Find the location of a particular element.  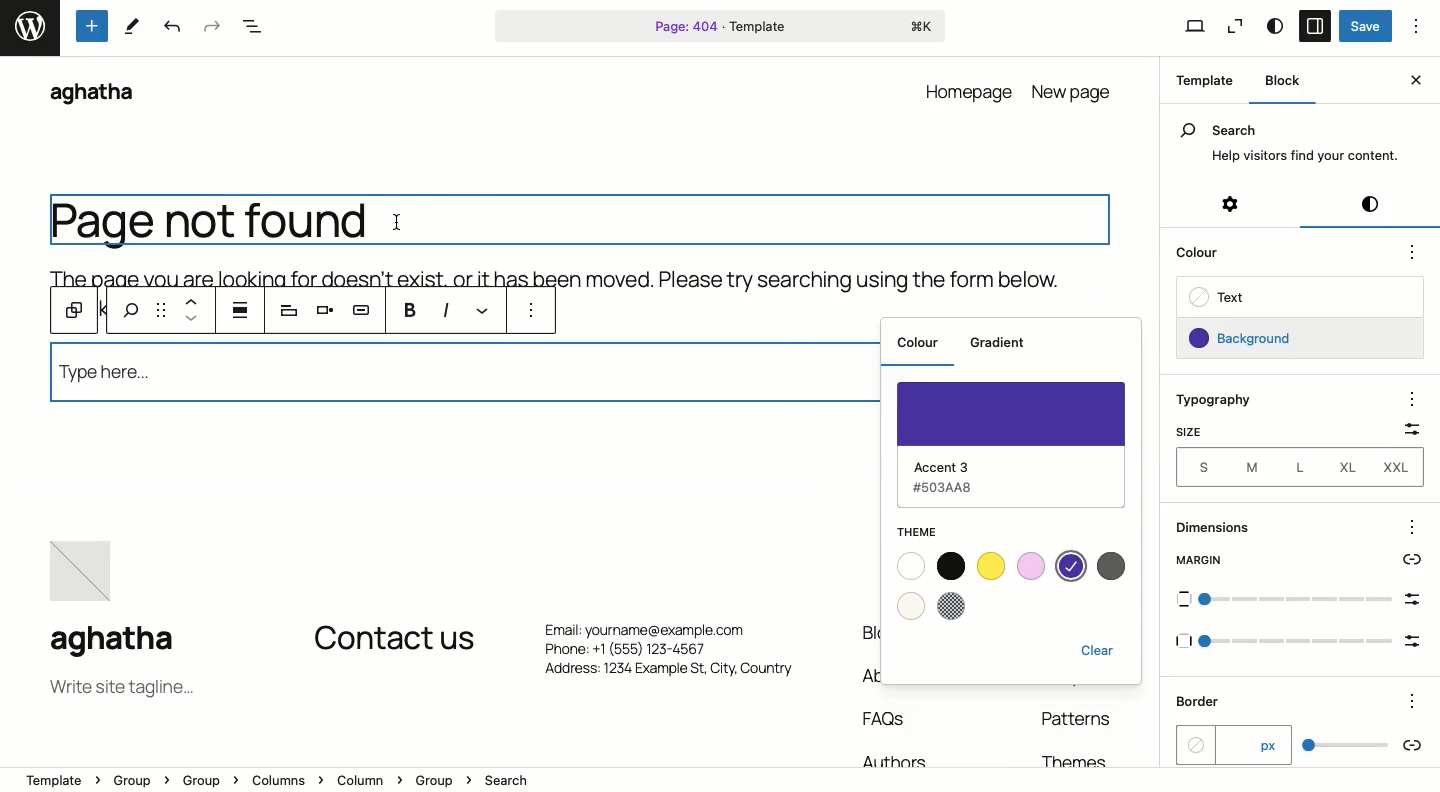

Email: yourname@example.com is located at coordinates (658, 626).